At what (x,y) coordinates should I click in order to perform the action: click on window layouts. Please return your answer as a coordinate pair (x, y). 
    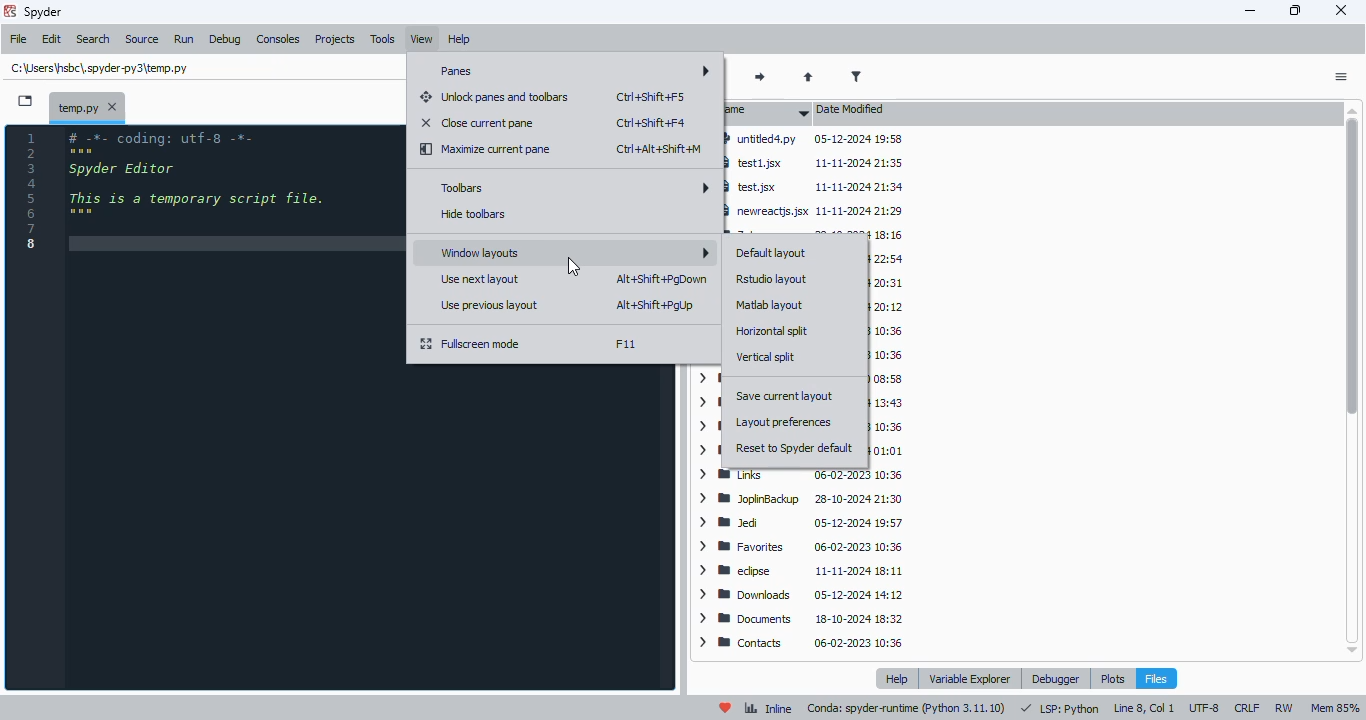
    Looking at the image, I should click on (573, 253).